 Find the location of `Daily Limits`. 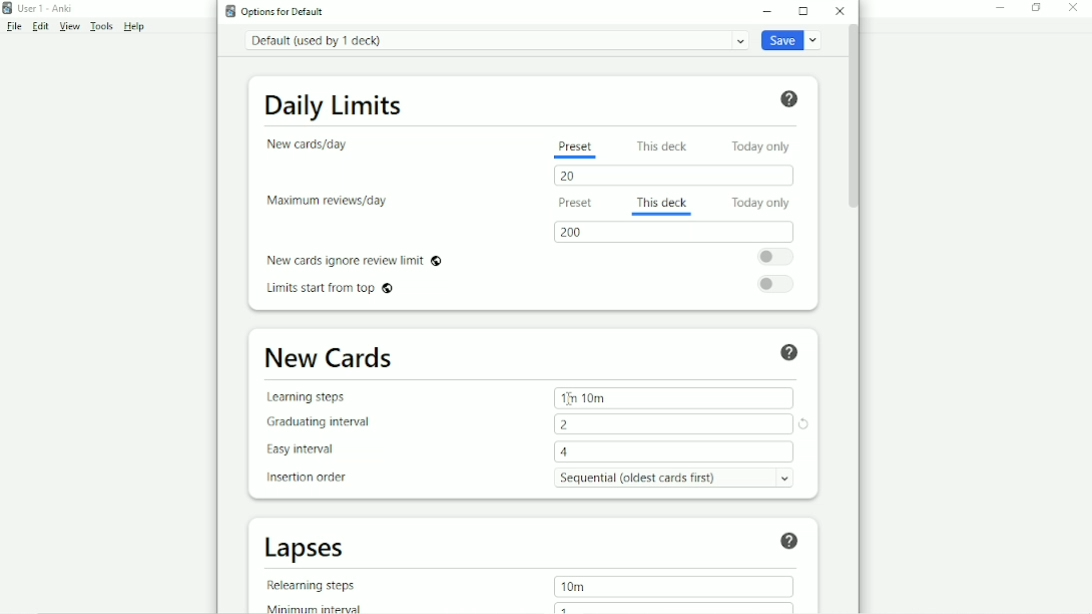

Daily Limits is located at coordinates (334, 106).